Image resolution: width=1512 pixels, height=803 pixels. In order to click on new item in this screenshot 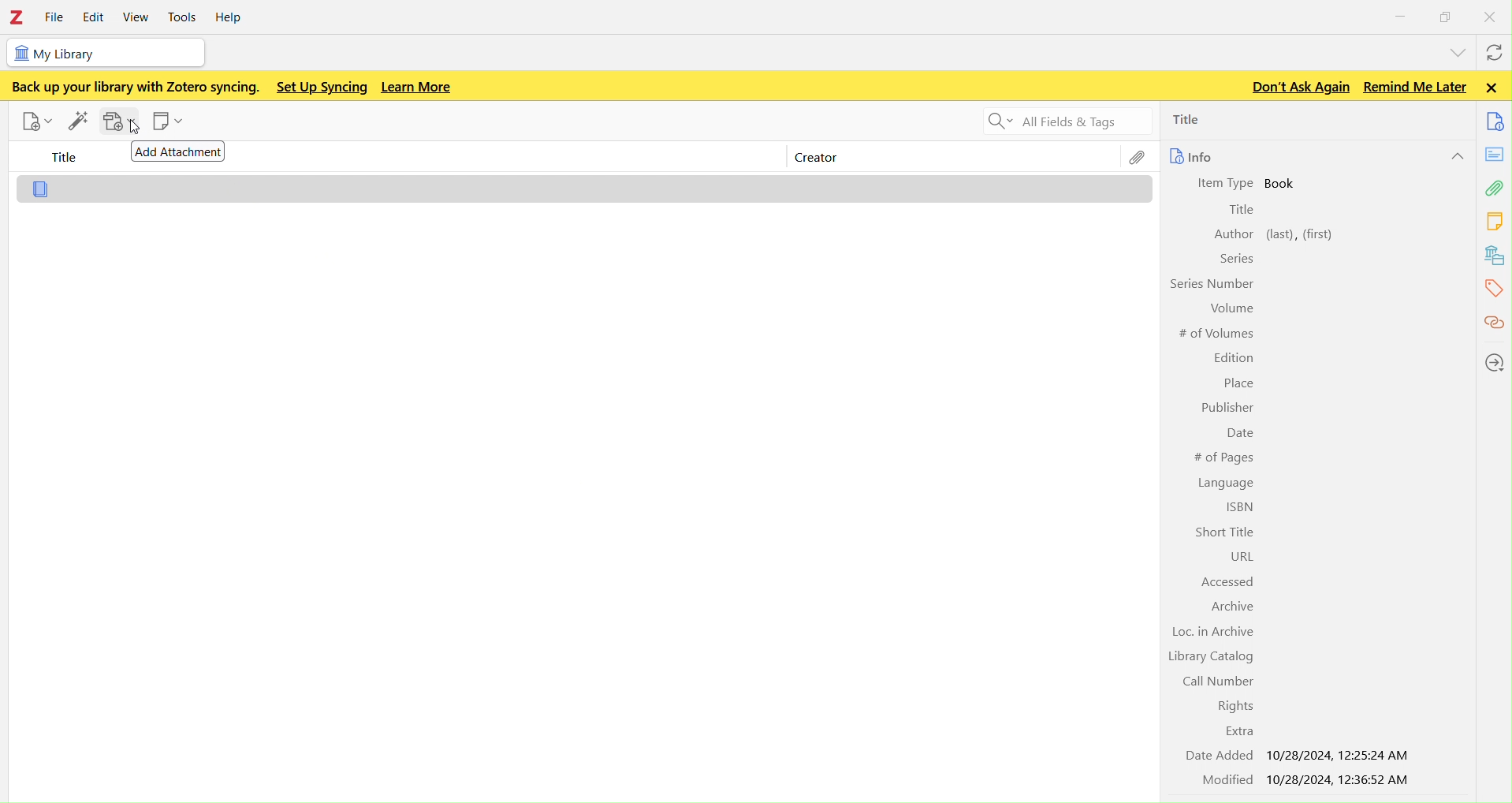, I will do `click(33, 120)`.